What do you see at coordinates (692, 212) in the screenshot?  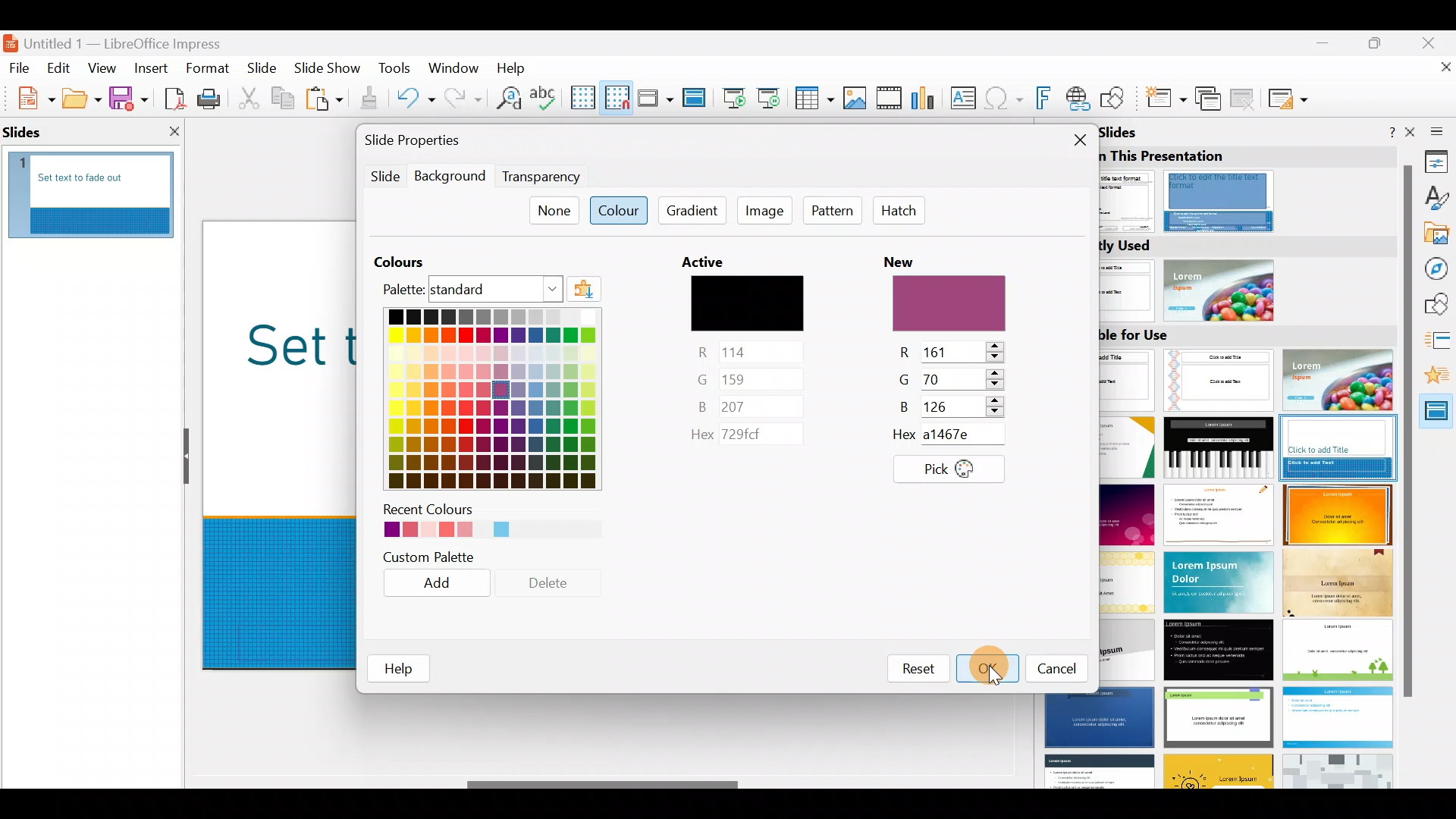 I see `Gradient` at bounding box center [692, 212].